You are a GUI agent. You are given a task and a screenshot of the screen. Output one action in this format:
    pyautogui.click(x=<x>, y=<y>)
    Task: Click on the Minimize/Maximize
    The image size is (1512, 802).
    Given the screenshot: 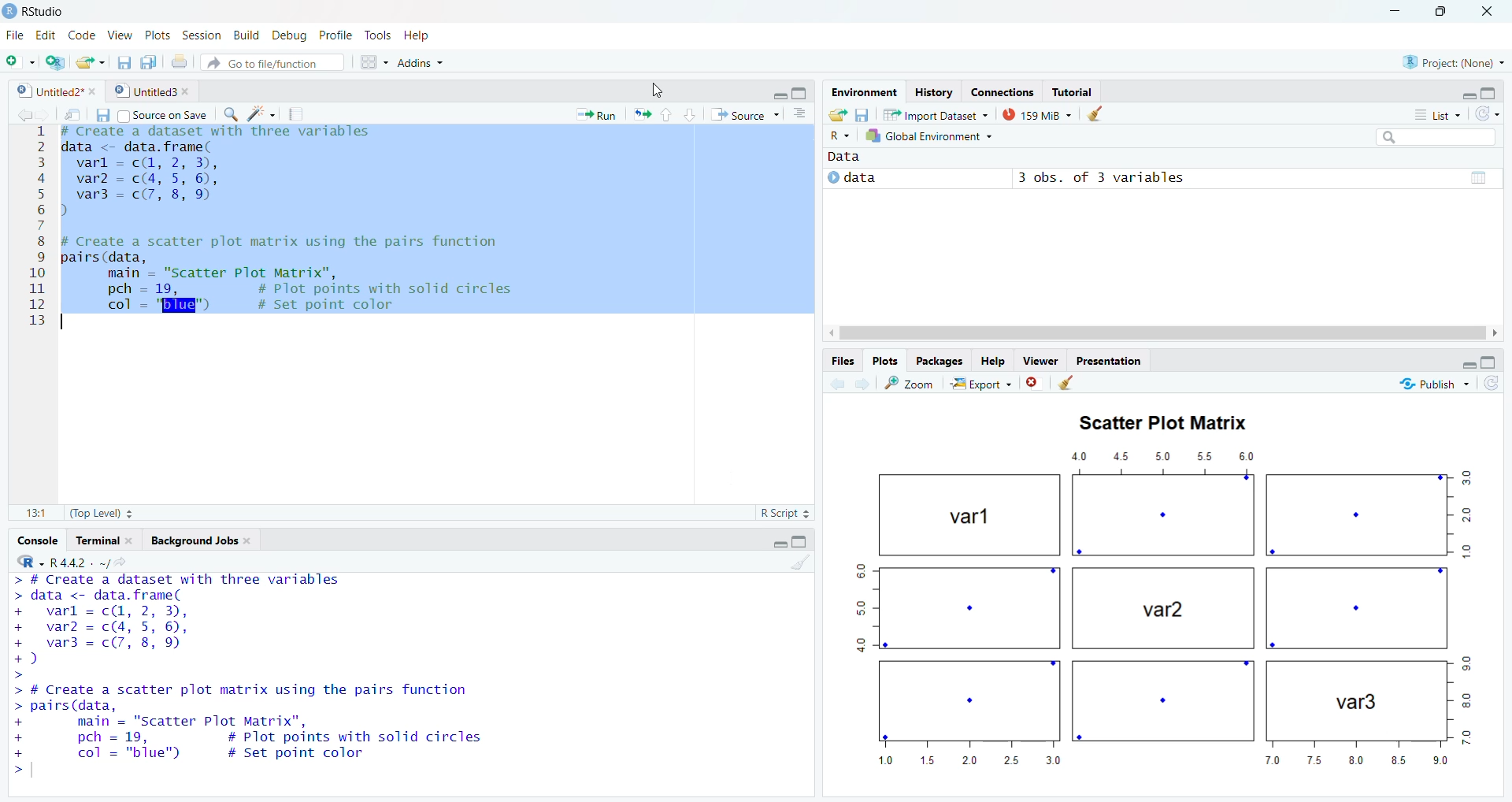 What is the action you would take?
    pyautogui.click(x=793, y=91)
    